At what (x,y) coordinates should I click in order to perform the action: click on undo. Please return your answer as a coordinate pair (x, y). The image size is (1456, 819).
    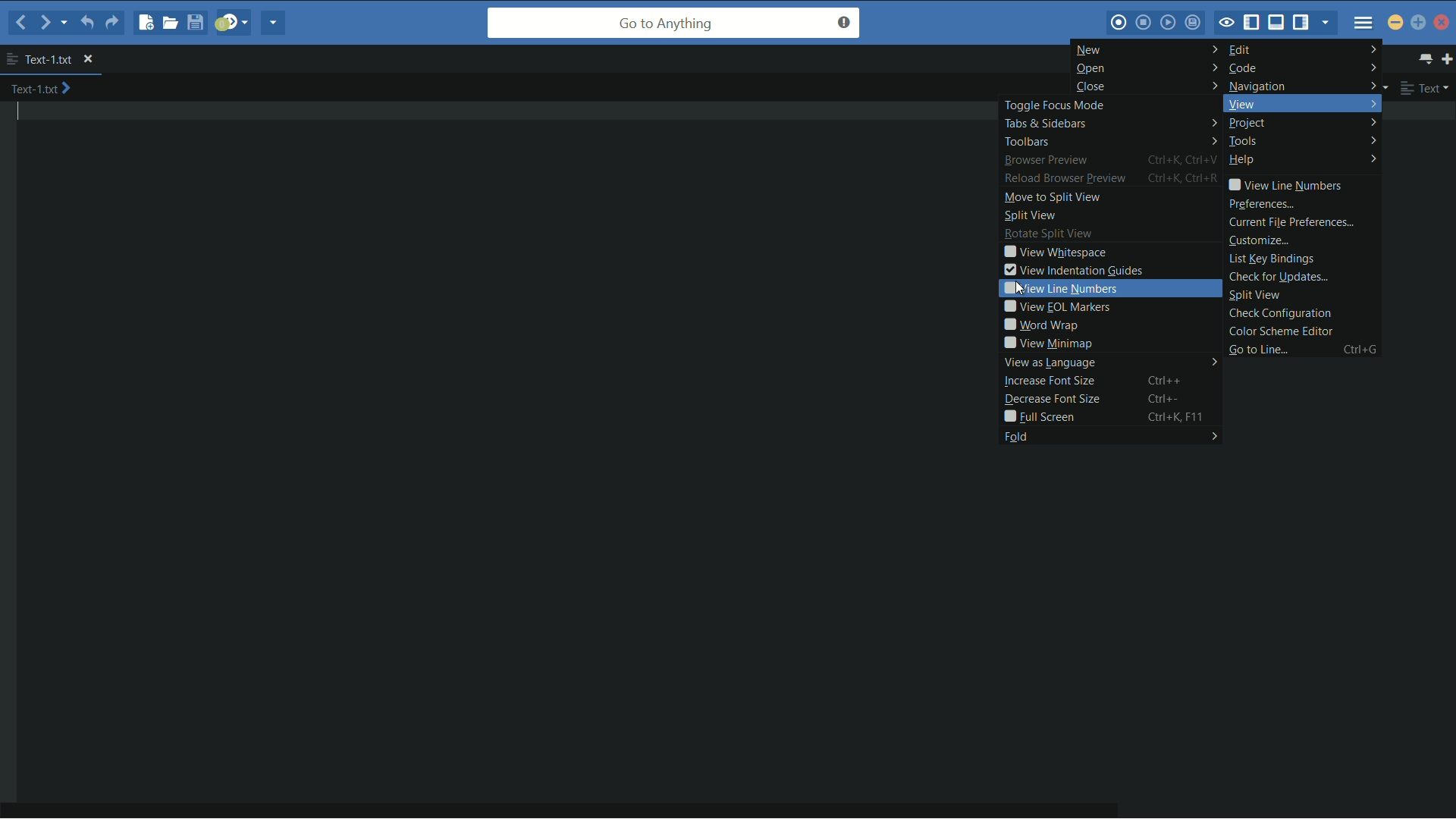
    Looking at the image, I should click on (88, 23).